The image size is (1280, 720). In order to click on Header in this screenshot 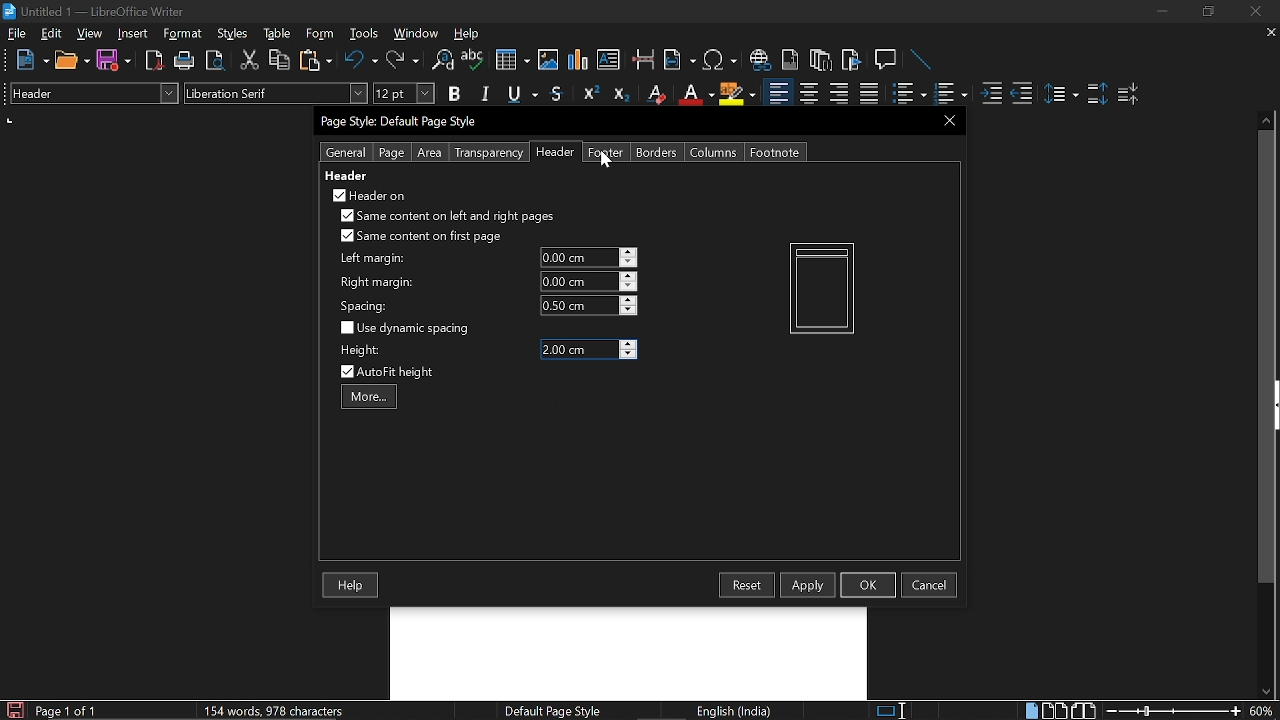, I will do `click(552, 153)`.